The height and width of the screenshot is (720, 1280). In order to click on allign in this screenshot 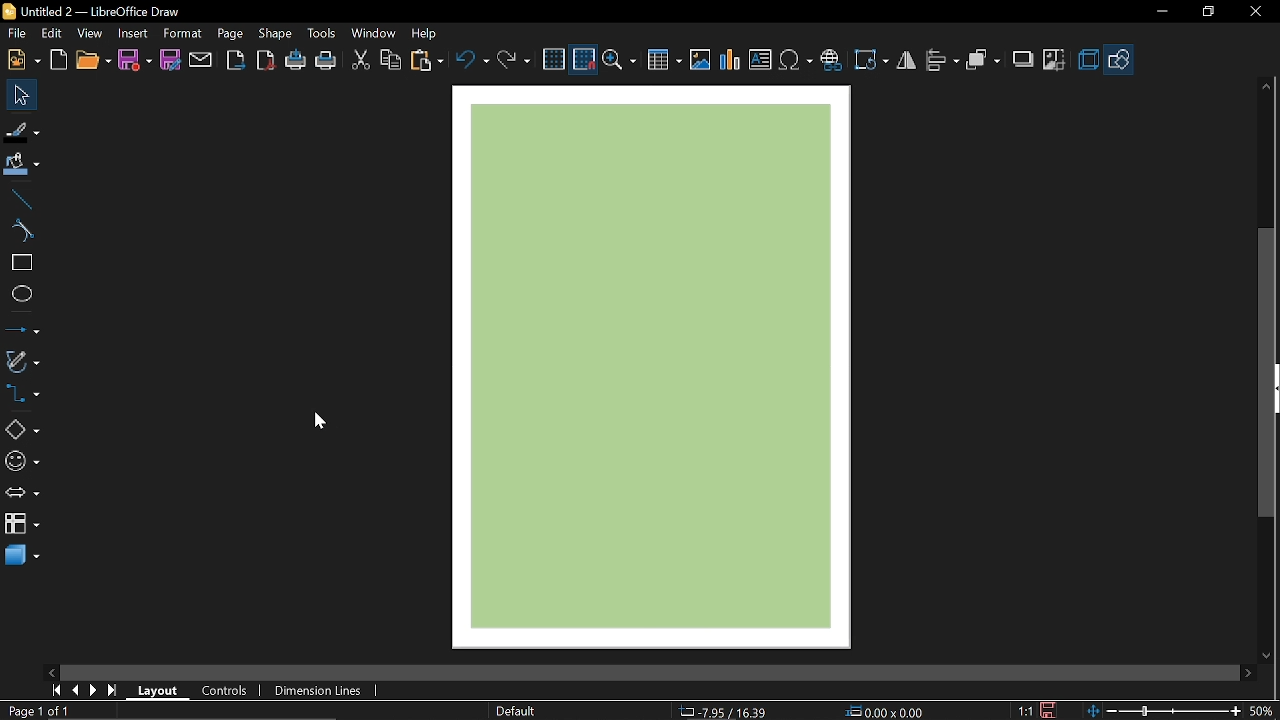, I will do `click(942, 62)`.